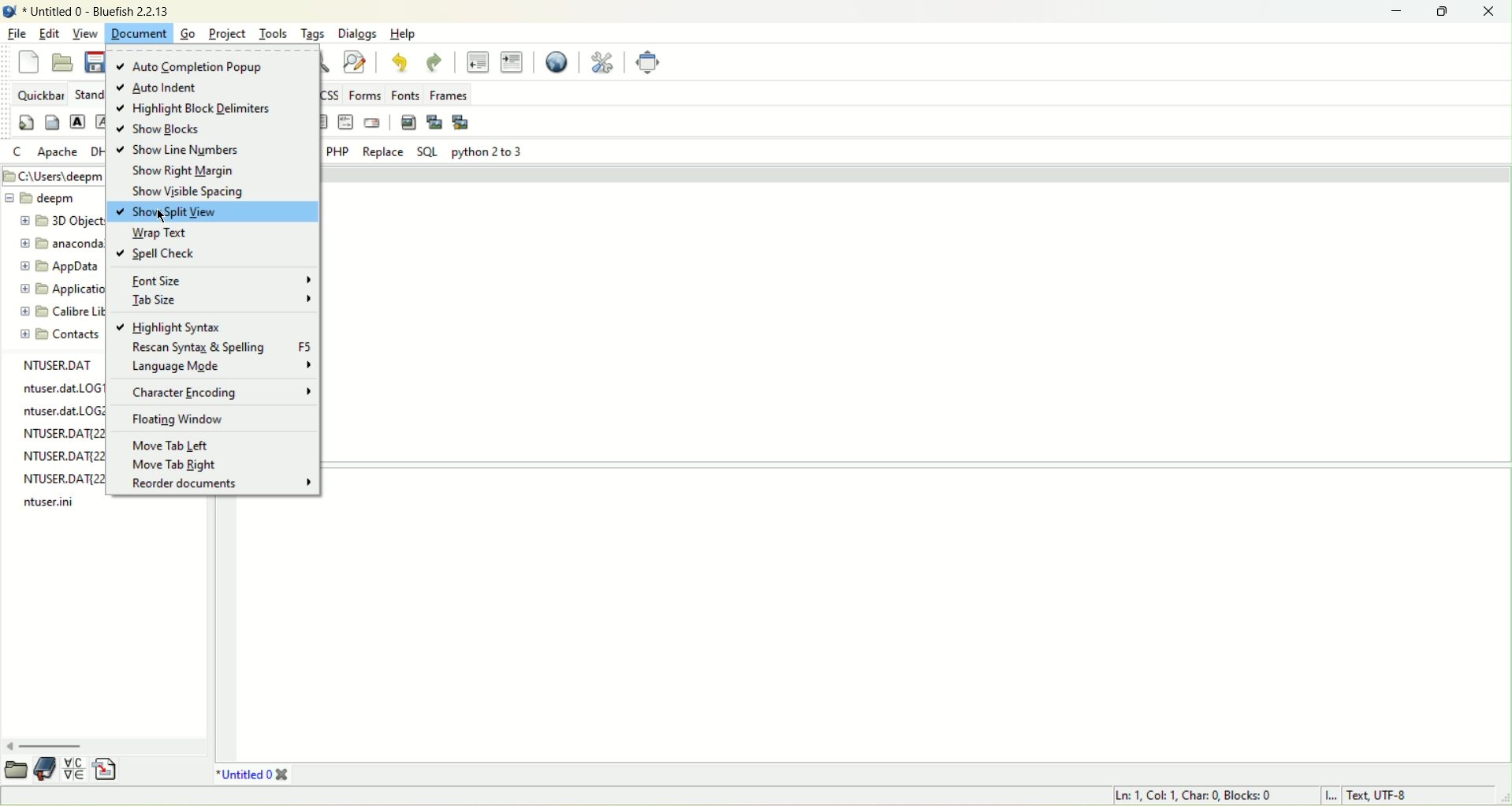 The image size is (1512, 806). Describe the element at coordinates (213, 446) in the screenshot. I see `move tab left` at that location.